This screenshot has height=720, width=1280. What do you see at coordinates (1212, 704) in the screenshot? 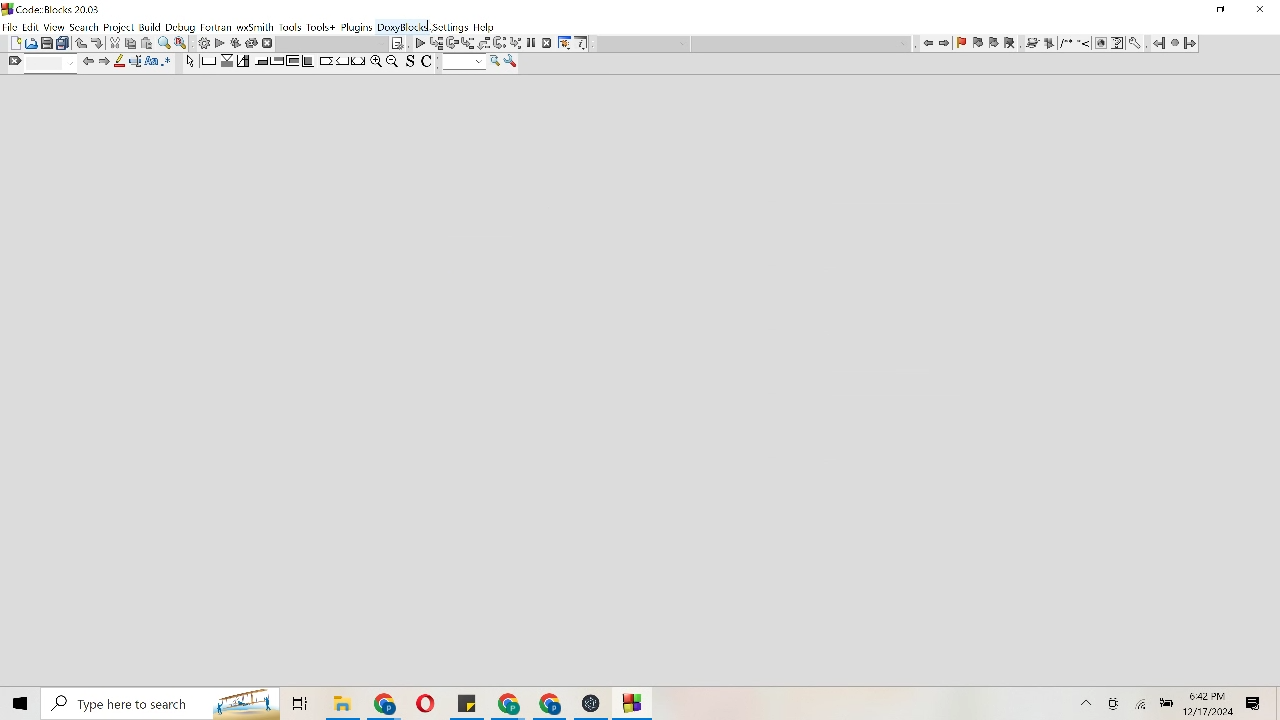
I see `Time and date` at bounding box center [1212, 704].